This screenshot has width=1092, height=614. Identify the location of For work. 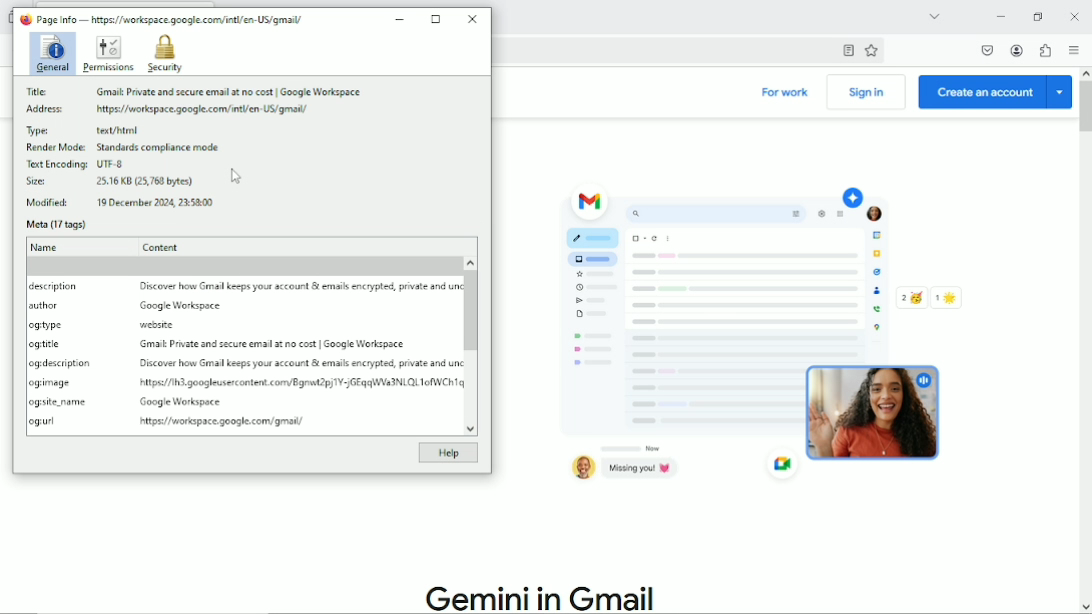
(785, 94).